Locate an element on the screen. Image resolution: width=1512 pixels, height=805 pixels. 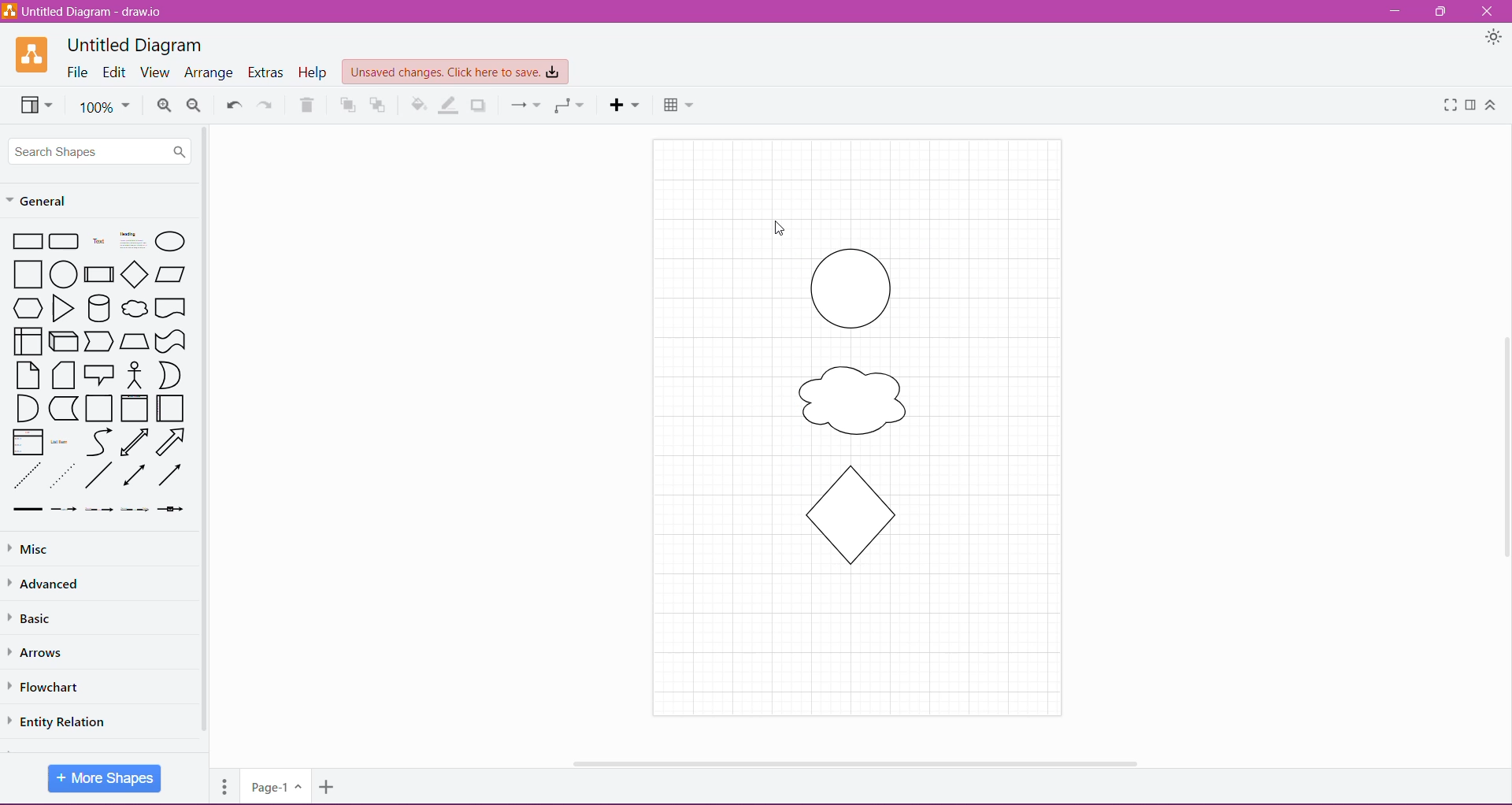
Zoom In is located at coordinates (164, 106).